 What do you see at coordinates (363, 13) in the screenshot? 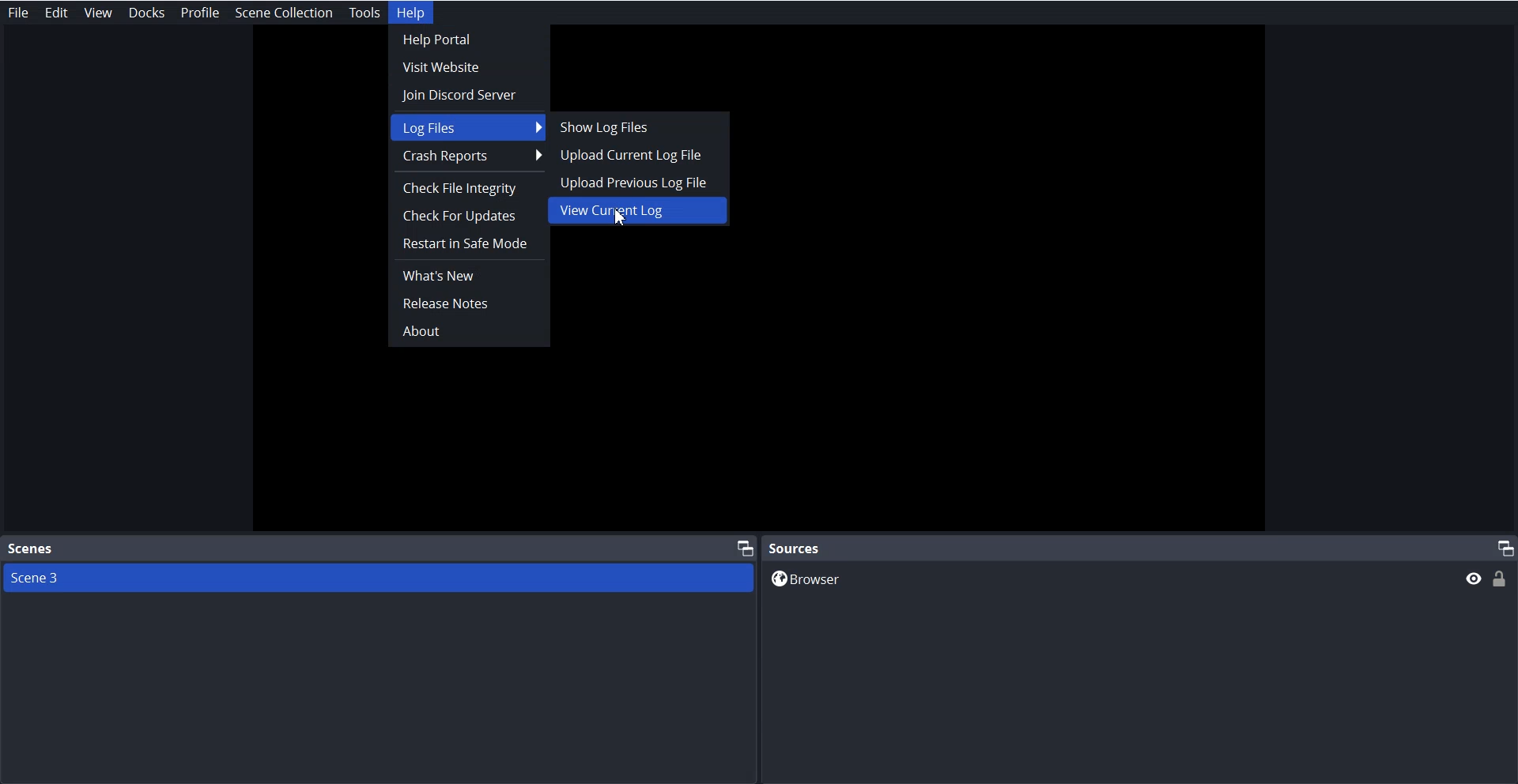
I see `Tools ` at bounding box center [363, 13].